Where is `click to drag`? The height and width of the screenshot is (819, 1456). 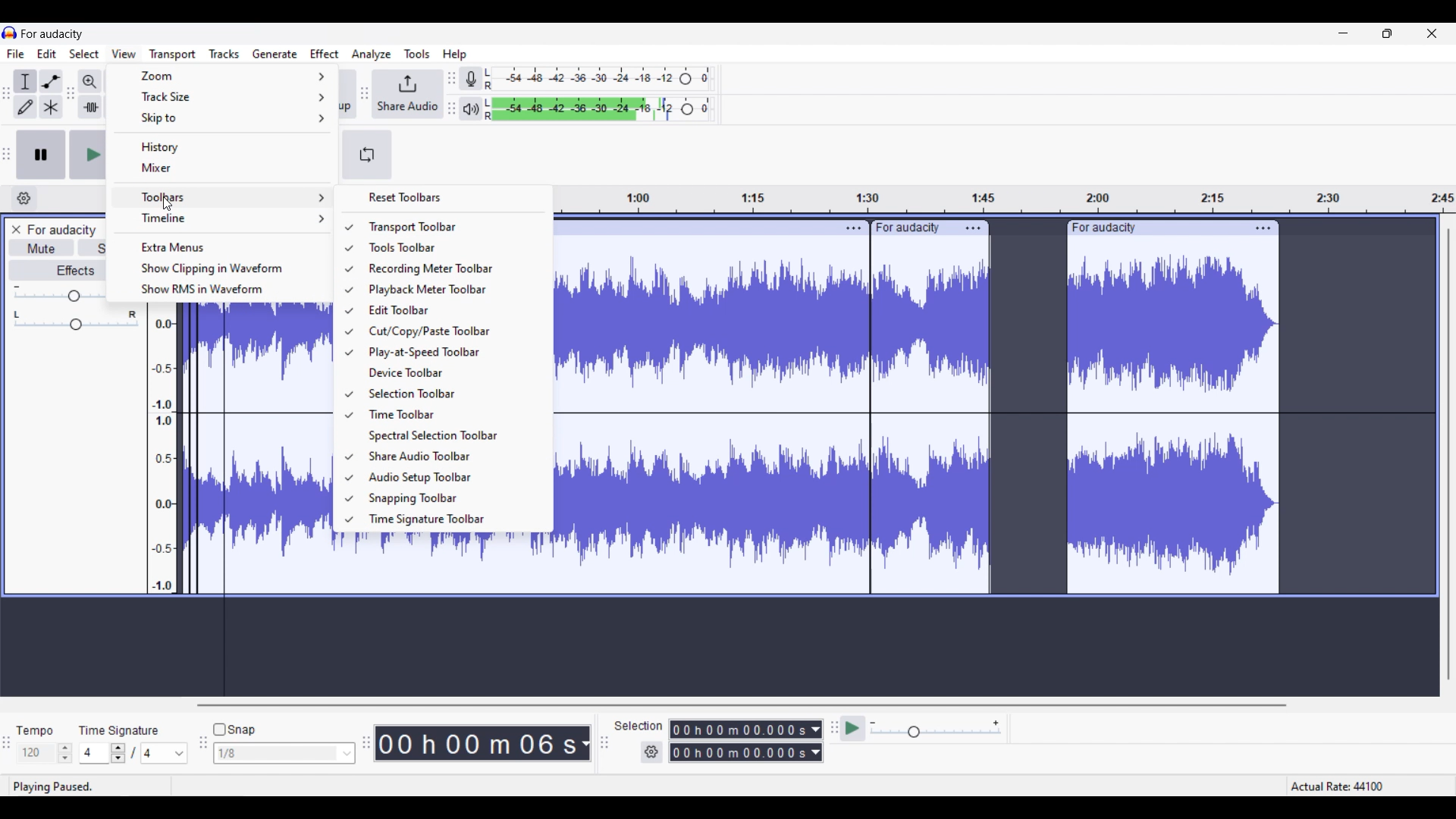 click to drag is located at coordinates (912, 225).